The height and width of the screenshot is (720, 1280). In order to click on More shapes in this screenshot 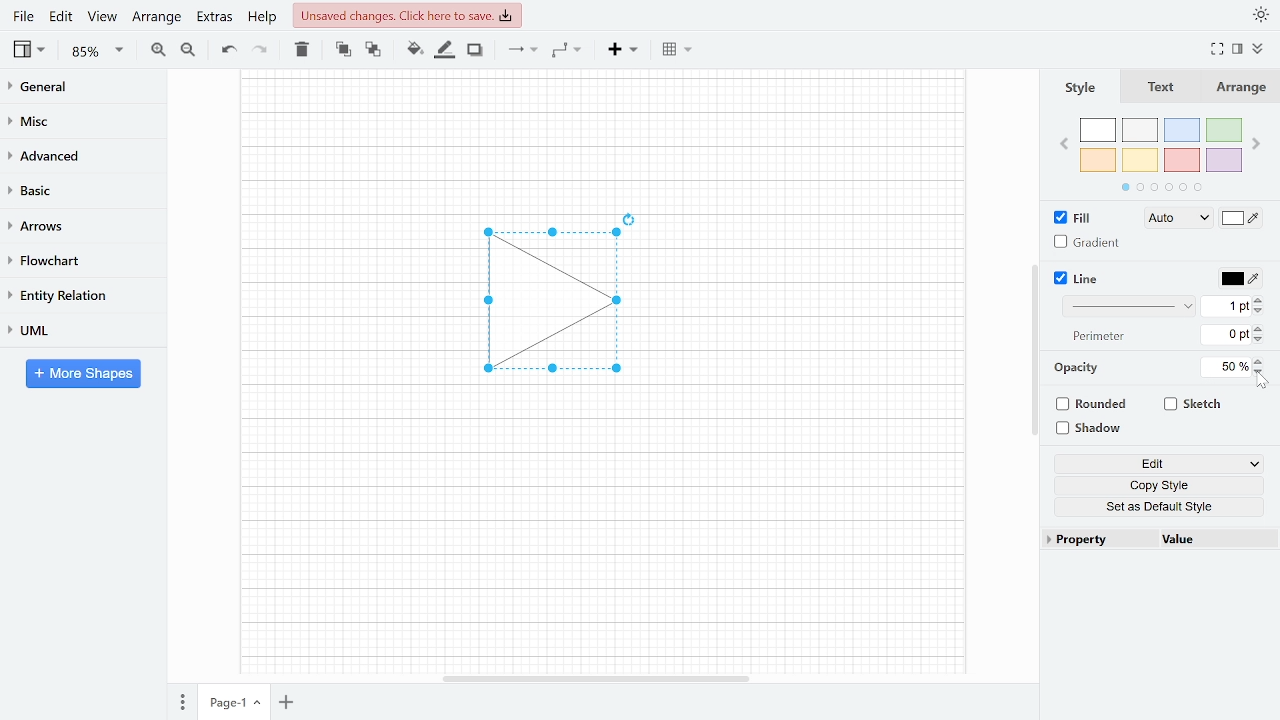, I will do `click(83, 373)`.